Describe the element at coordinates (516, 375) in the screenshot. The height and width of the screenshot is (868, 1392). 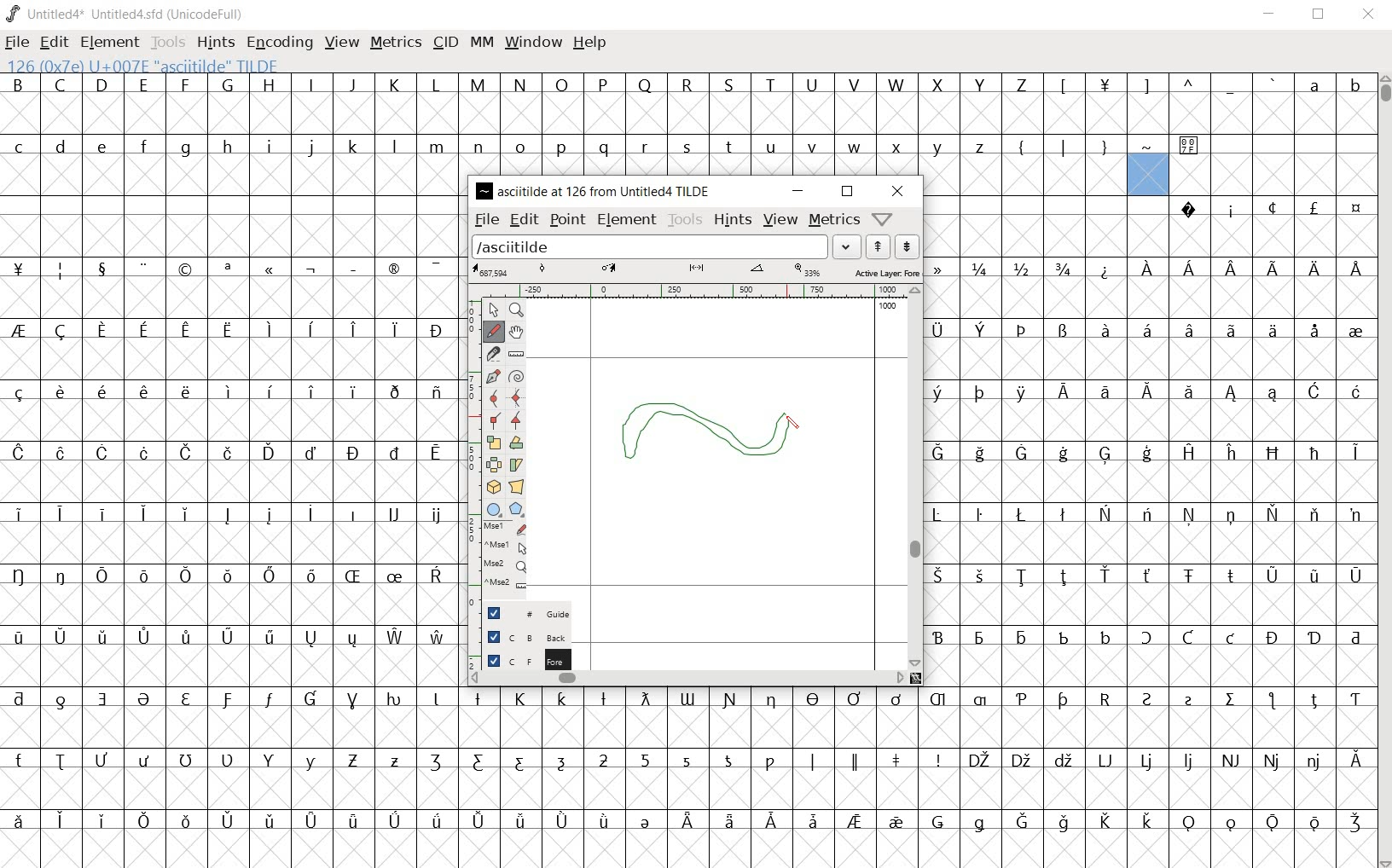
I see `change whether spiro is active or not` at that location.